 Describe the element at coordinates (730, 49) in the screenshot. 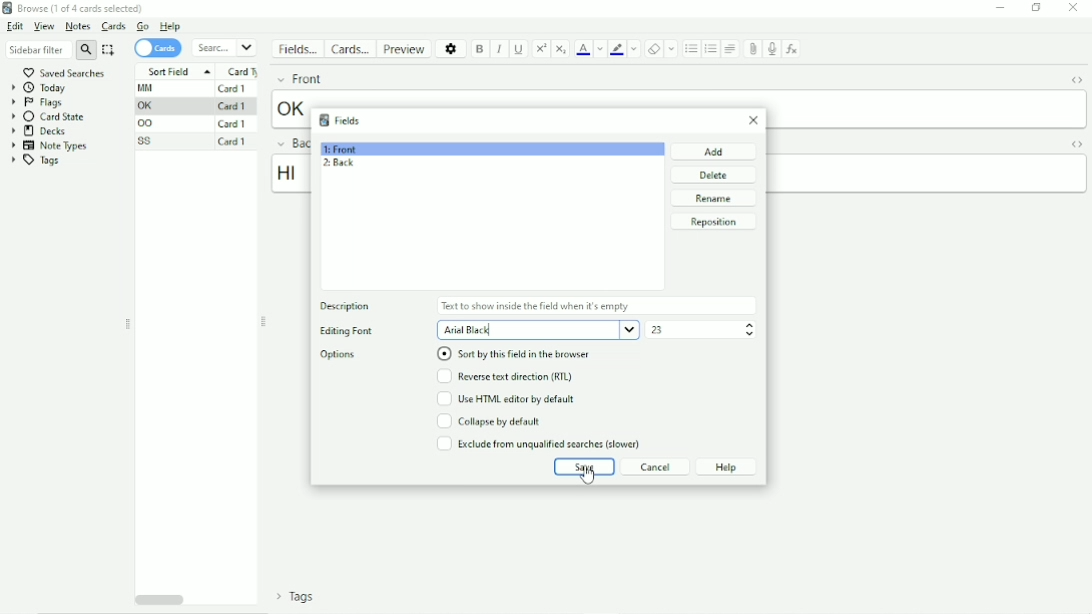

I see `Alignment` at that location.